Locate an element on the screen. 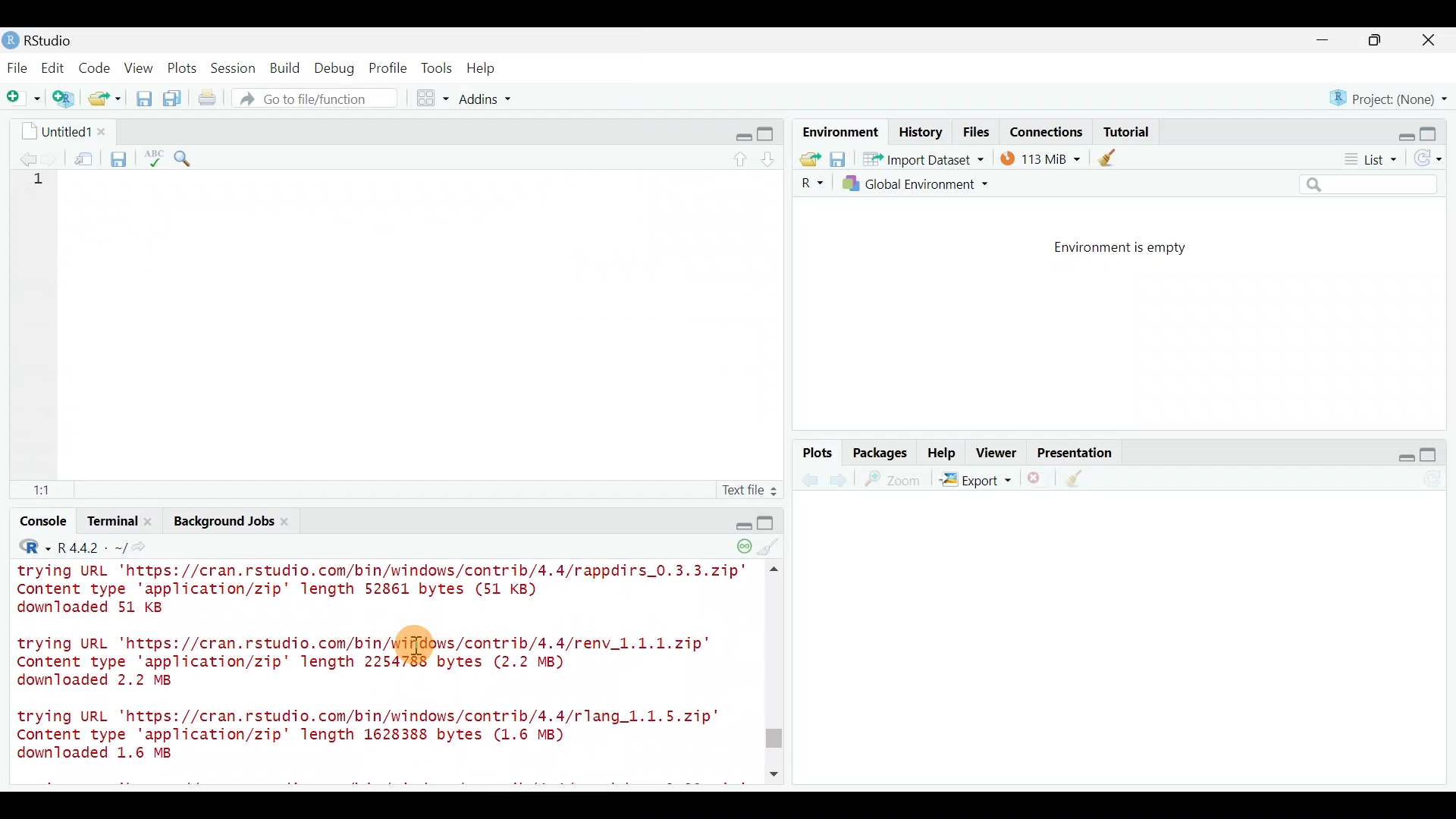 Image resolution: width=1456 pixels, height=819 pixels. Project (none) is located at coordinates (1393, 96).